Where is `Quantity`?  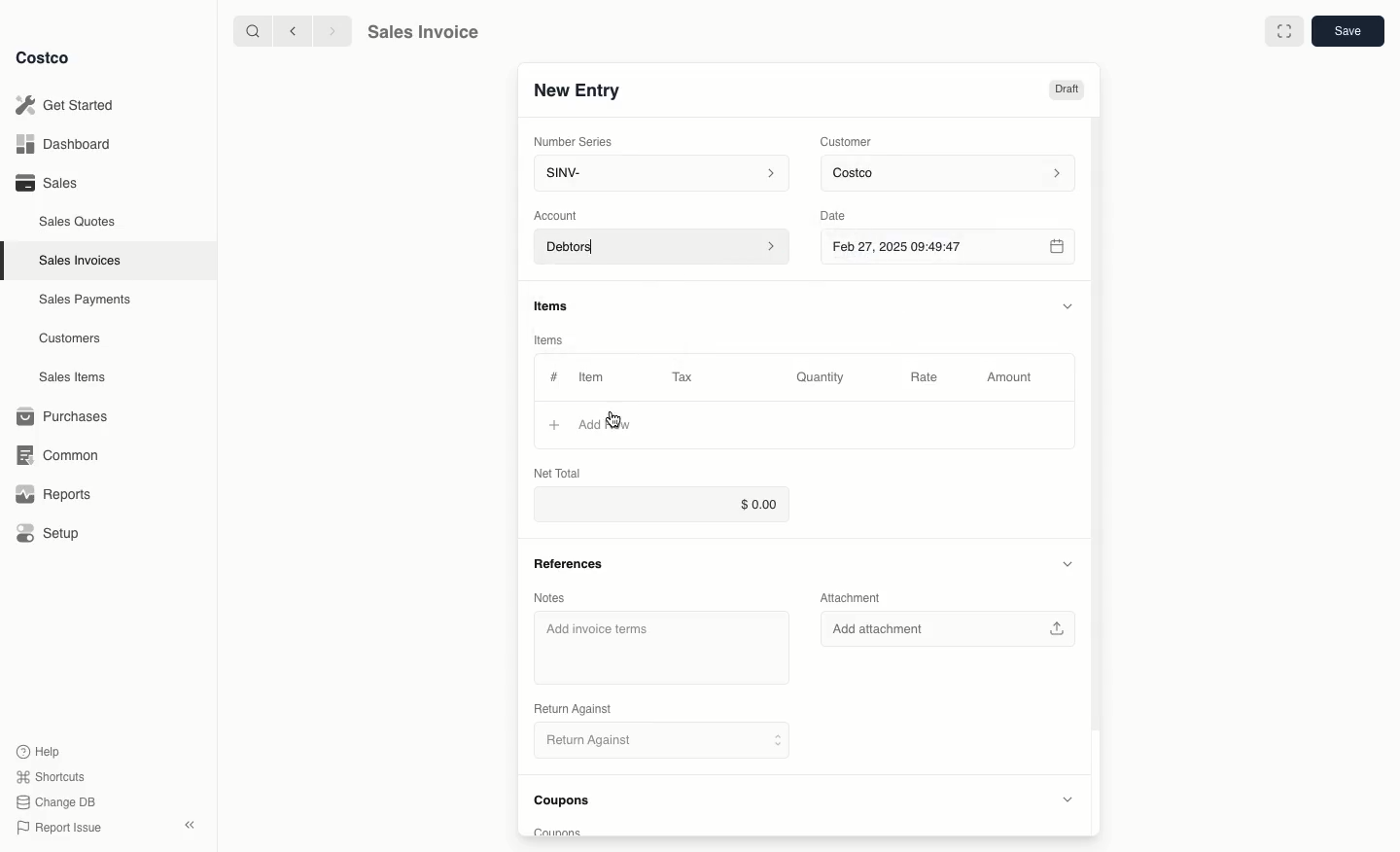
Quantity is located at coordinates (822, 377).